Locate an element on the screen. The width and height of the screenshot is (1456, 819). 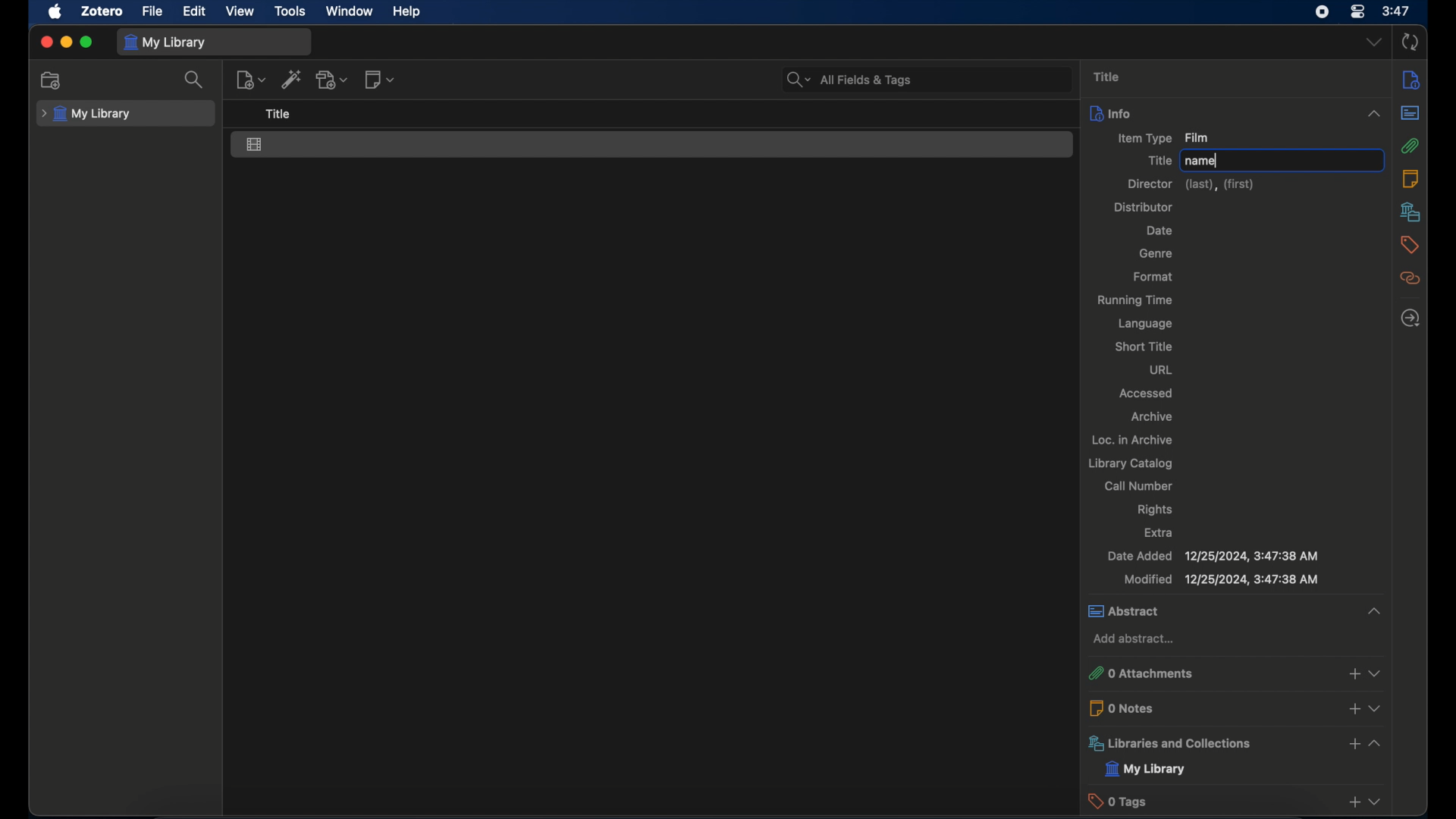
libraries is located at coordinates (1411, 212).